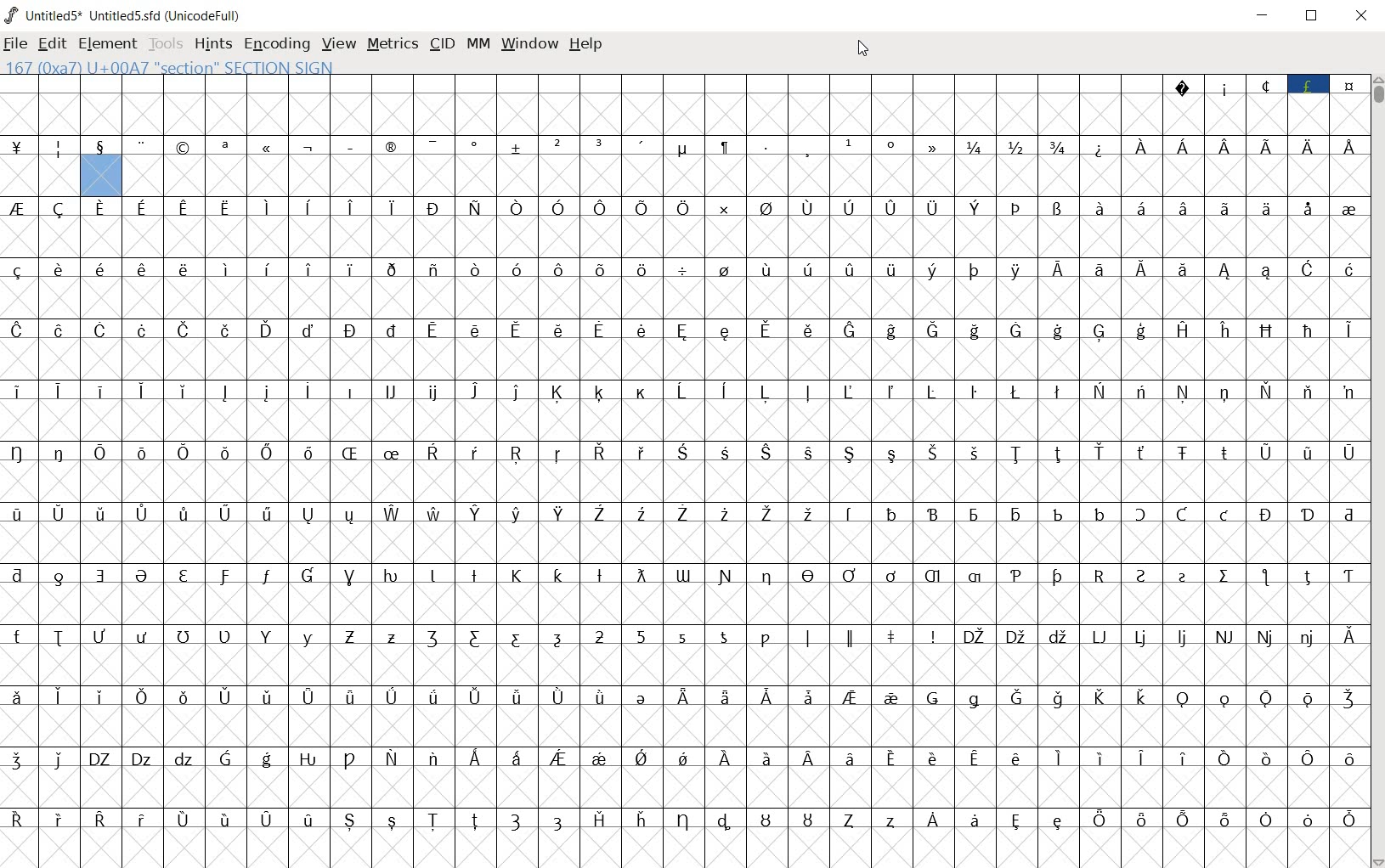 This screenshot has height=868, width=1385. What do you see at coordinates (684, 541) in the screenshot?
I see `empty cells` at bounding box center [684, 541].